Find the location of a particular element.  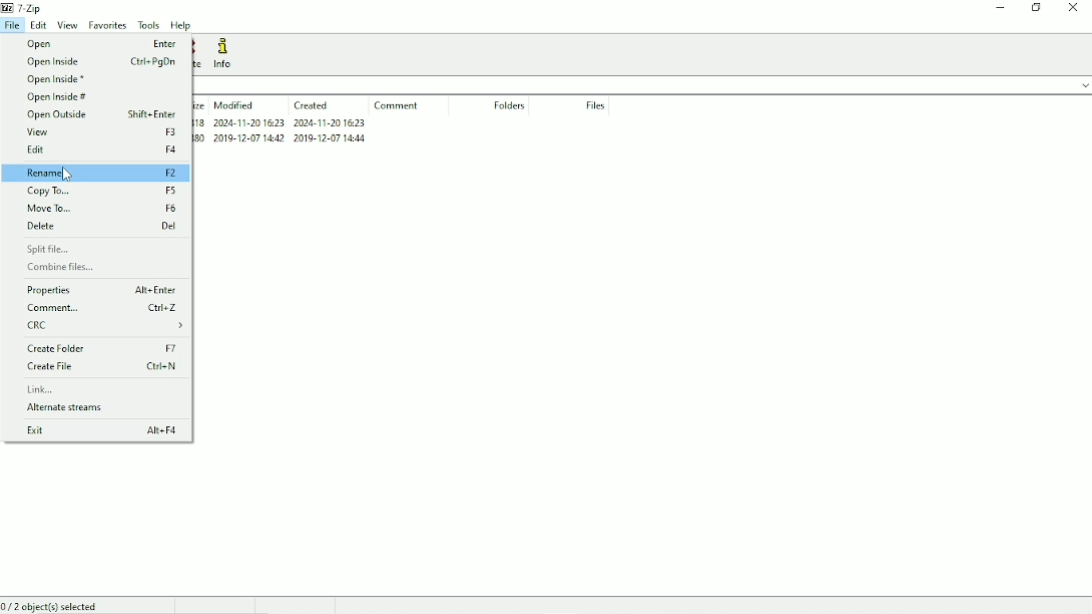

Combine files is located at coordinates (61, 267).